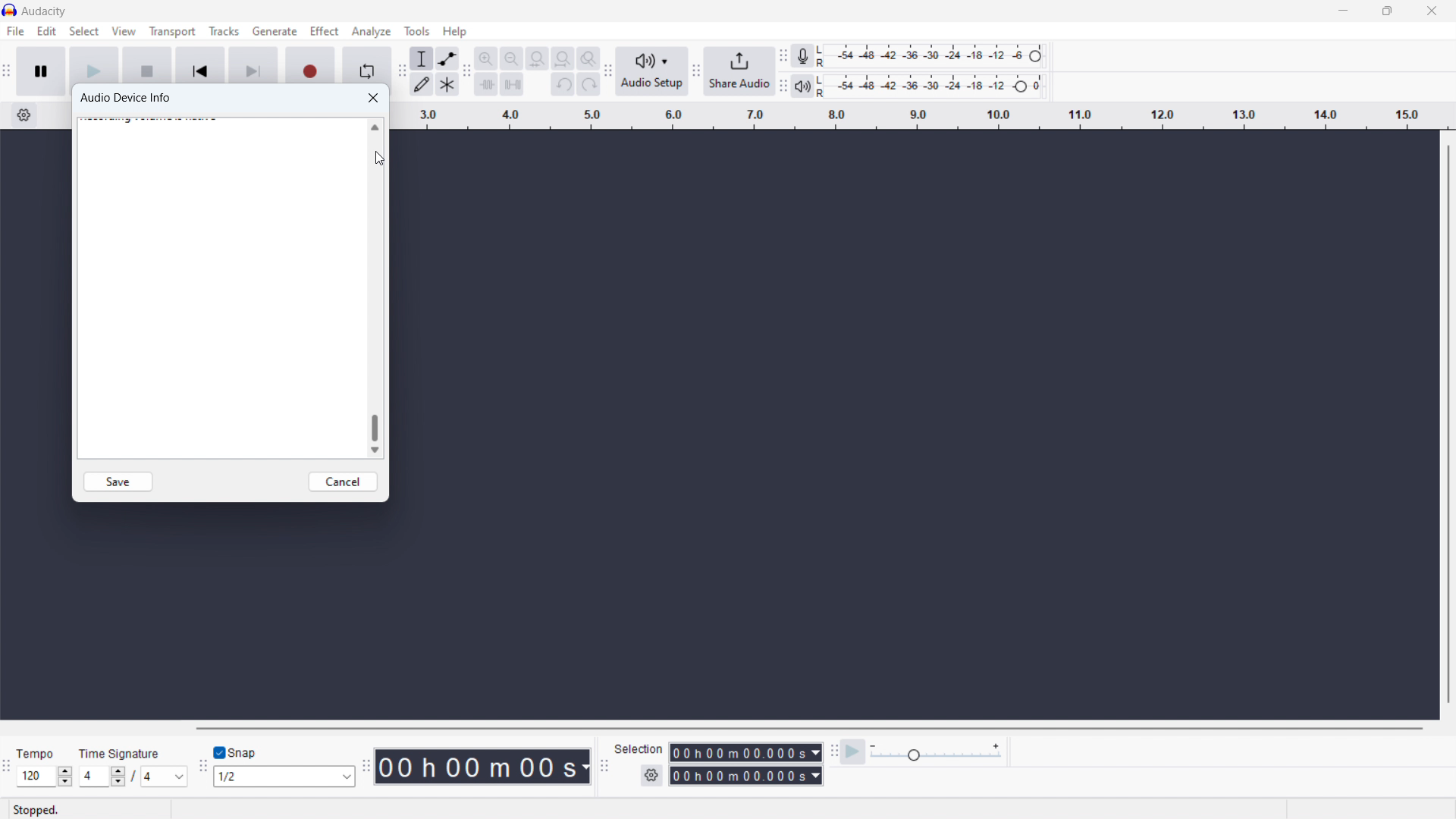 The width and height of the screenshot is (1456, 819). Describe the element at coordinates (124, 31) in the screenshot. I see `view` at that location.